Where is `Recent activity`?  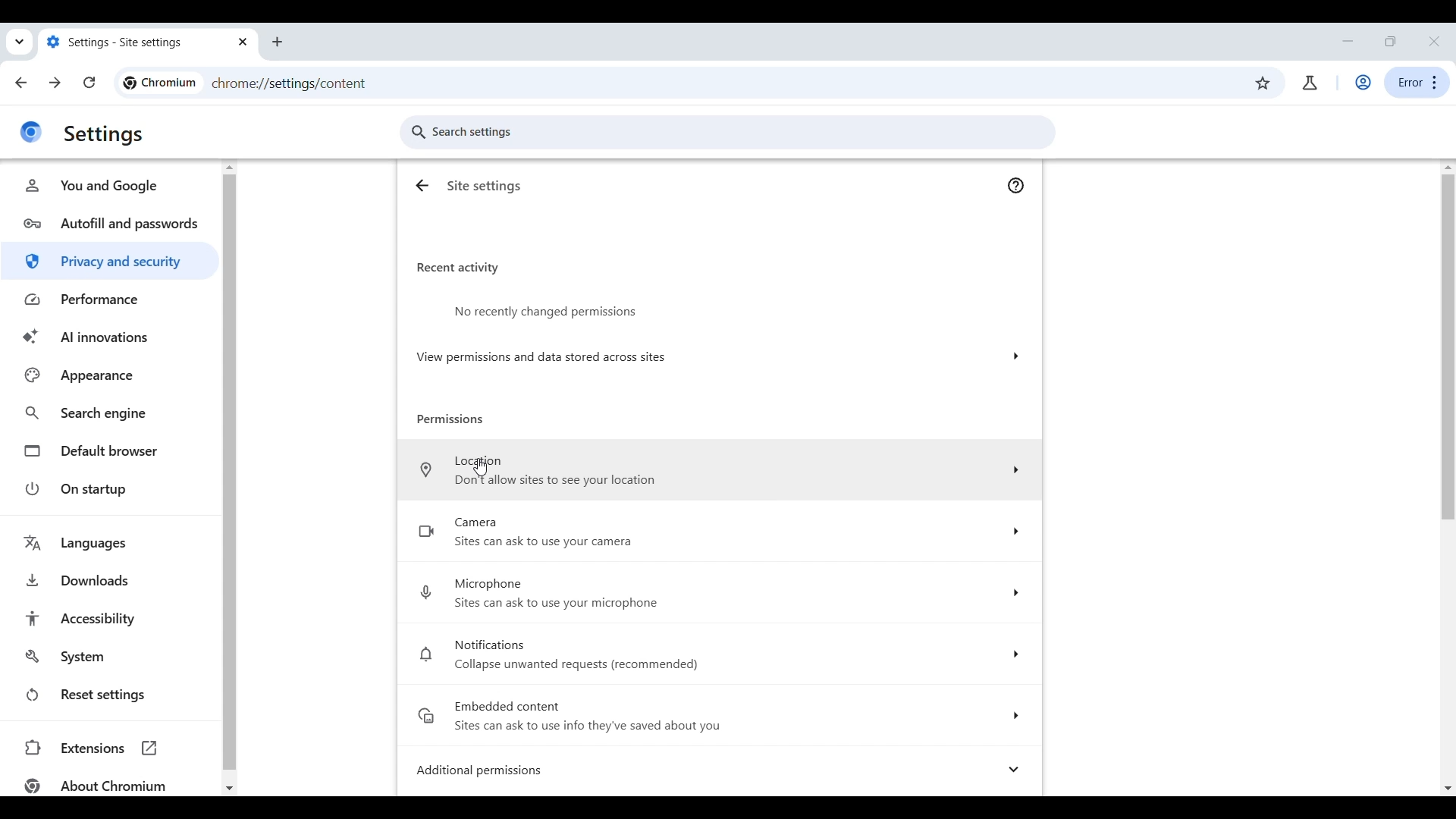
Recent activity is located at coordinates (458, 268).